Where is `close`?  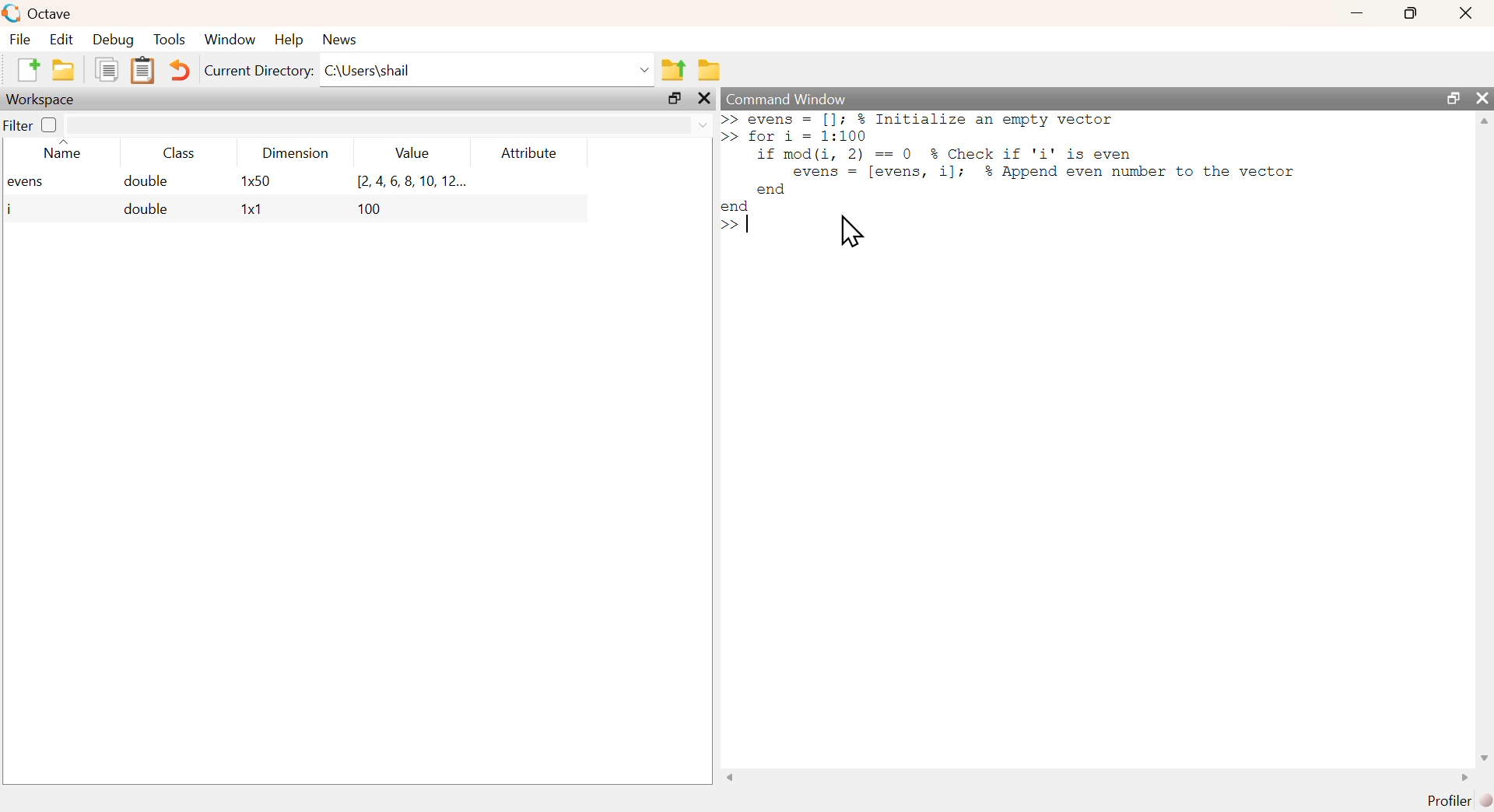
close is located at coordinates (704, 100).